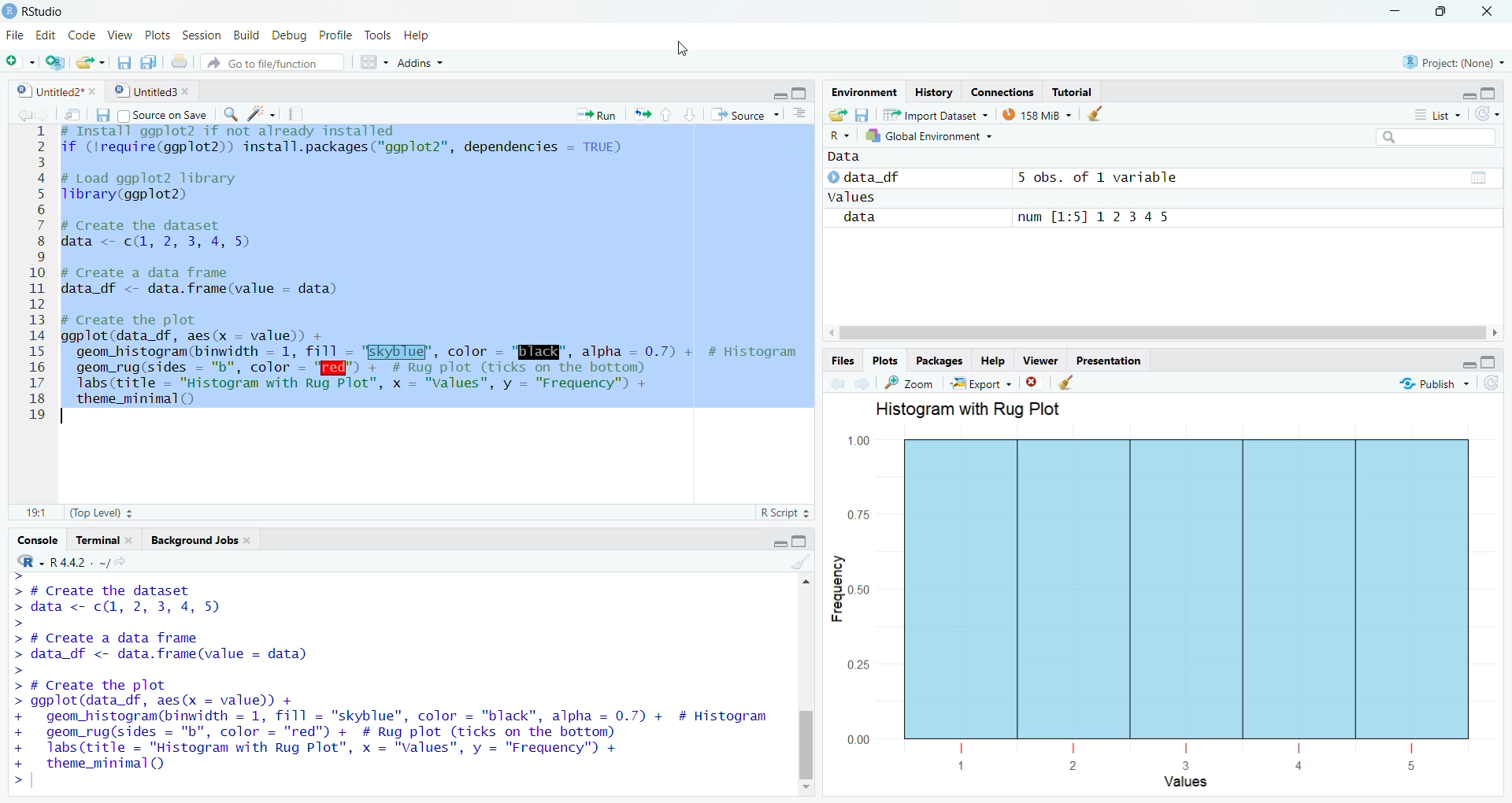 This screenshot has height=803, width=1512. Describe the element at coordinates (1489, 13) in the screenshot. I see `close` at that location.